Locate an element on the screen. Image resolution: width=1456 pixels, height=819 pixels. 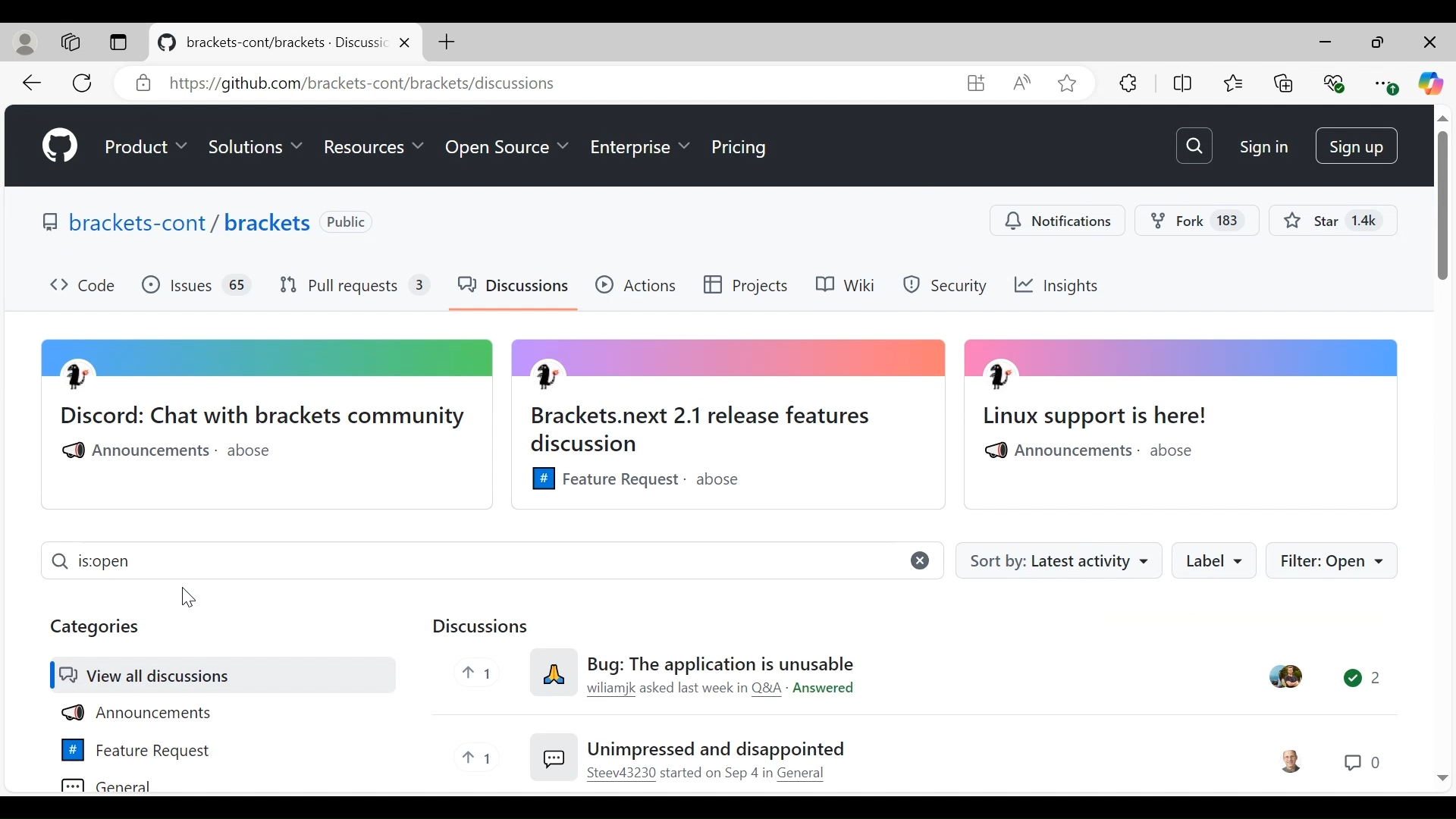
Reload is located at coordinates (83, 83).